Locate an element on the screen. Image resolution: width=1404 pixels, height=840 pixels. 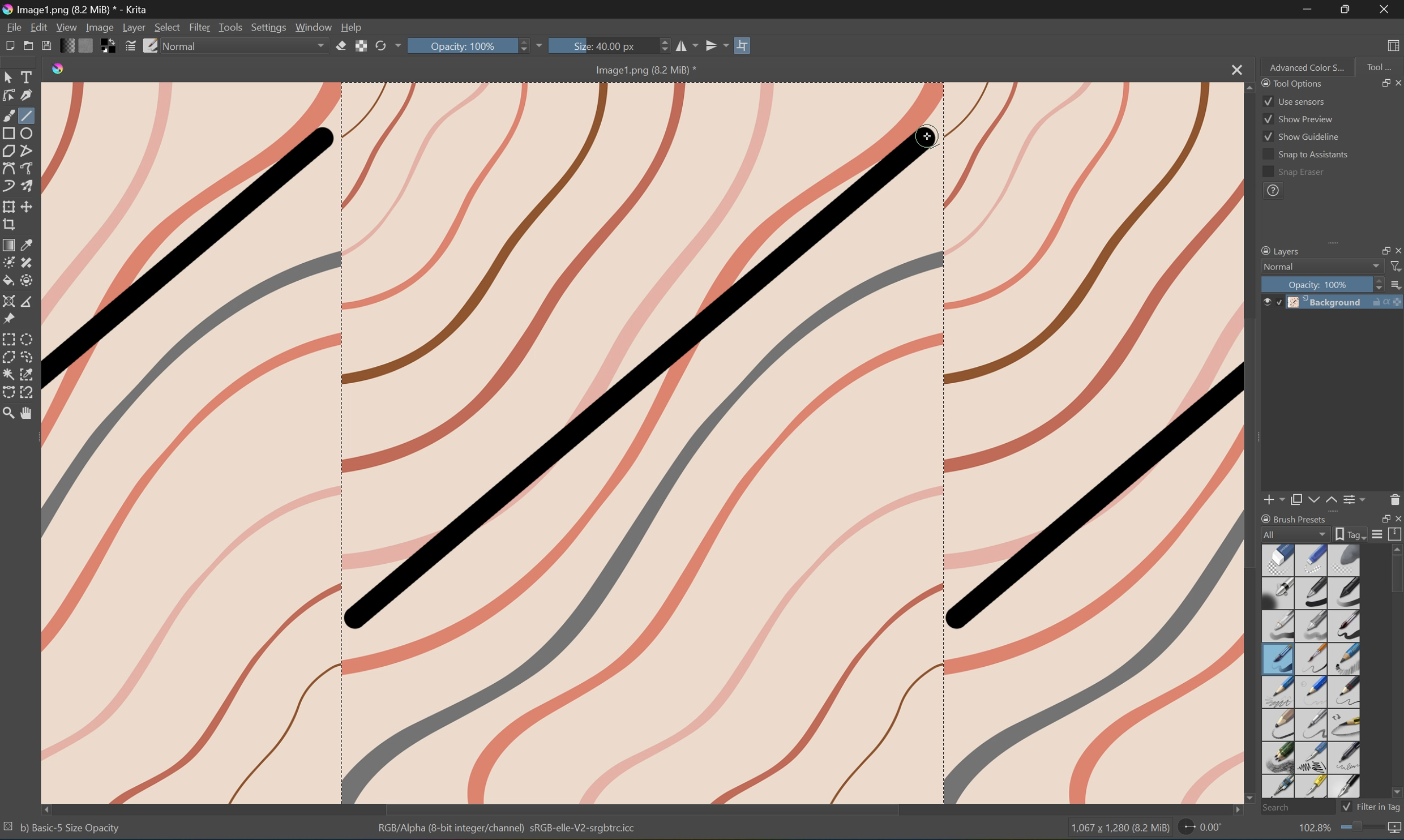
Fill gradients is located at coordinates (70, 46).